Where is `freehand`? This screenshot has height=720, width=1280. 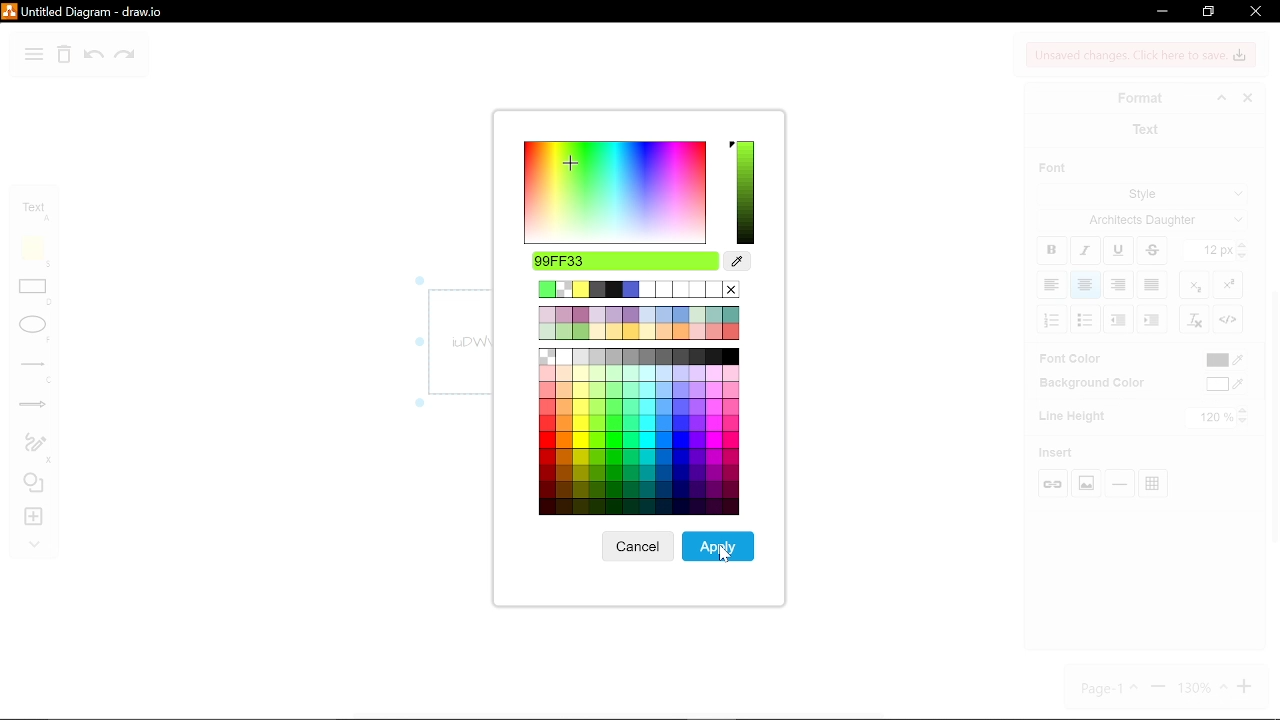
freehand is located at coordinates (31, 446).